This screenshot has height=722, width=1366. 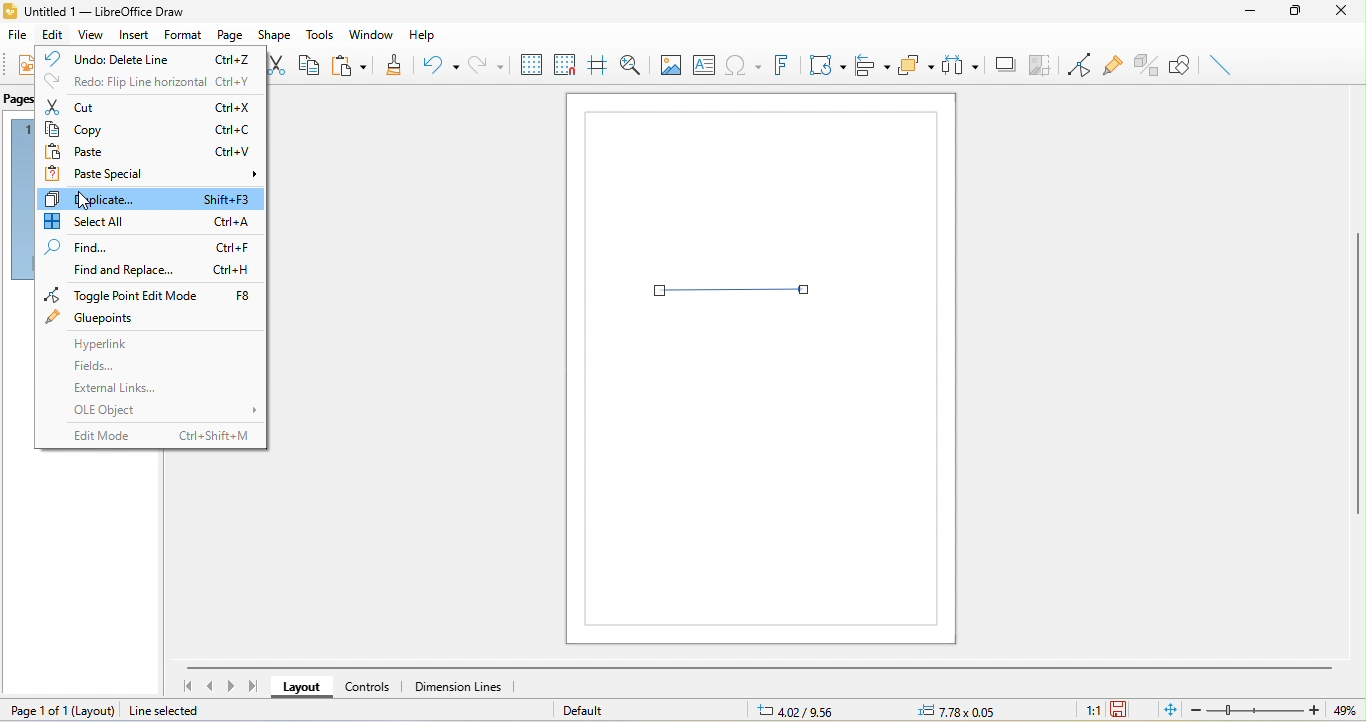 What do you see at coordinates (1165, 711) in the screenshot?
I see `fit to the current window` at bounding box center [1165, 711].